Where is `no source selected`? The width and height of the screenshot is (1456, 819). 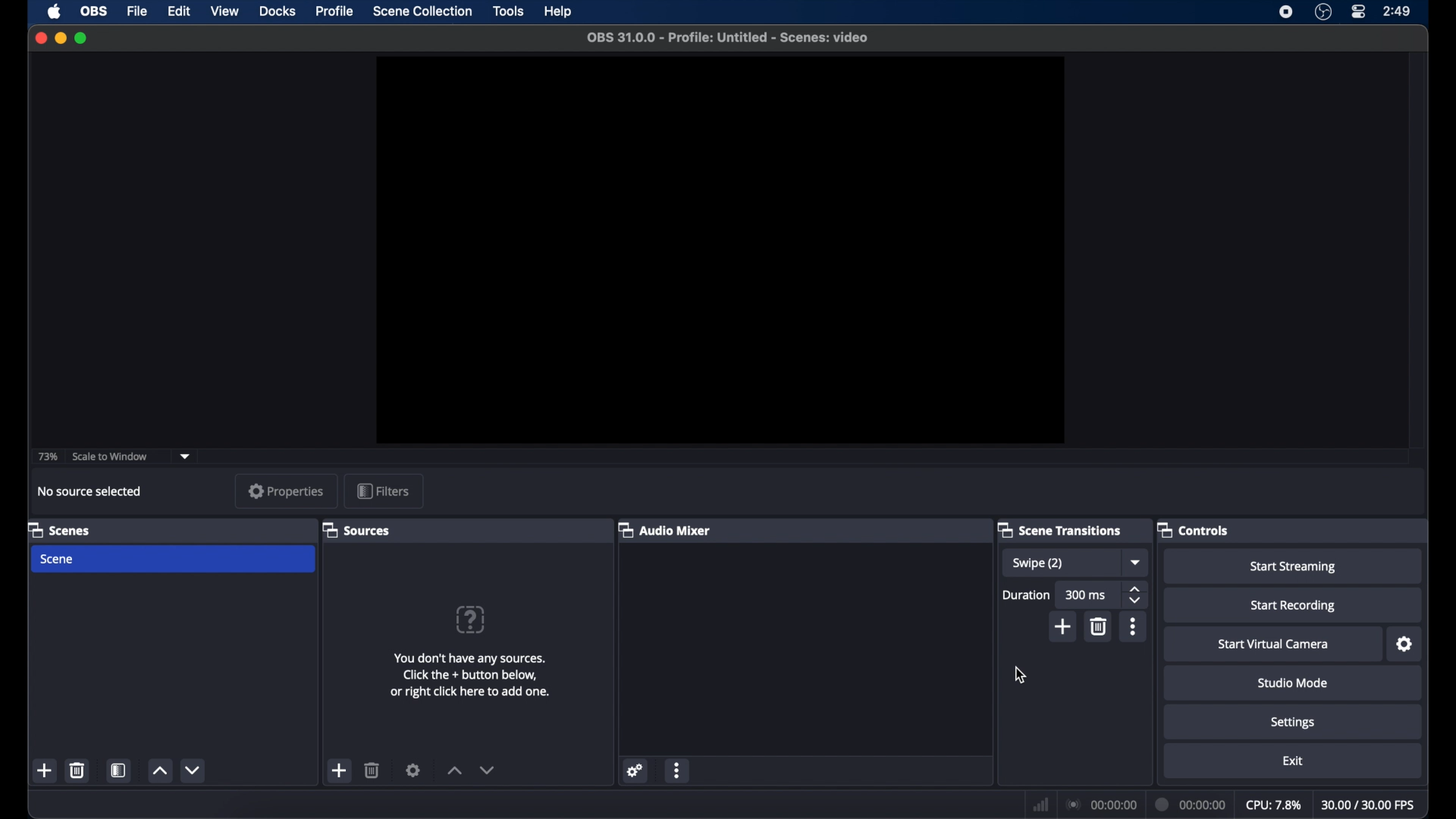
no source selected is located at coordinates (91, 491).